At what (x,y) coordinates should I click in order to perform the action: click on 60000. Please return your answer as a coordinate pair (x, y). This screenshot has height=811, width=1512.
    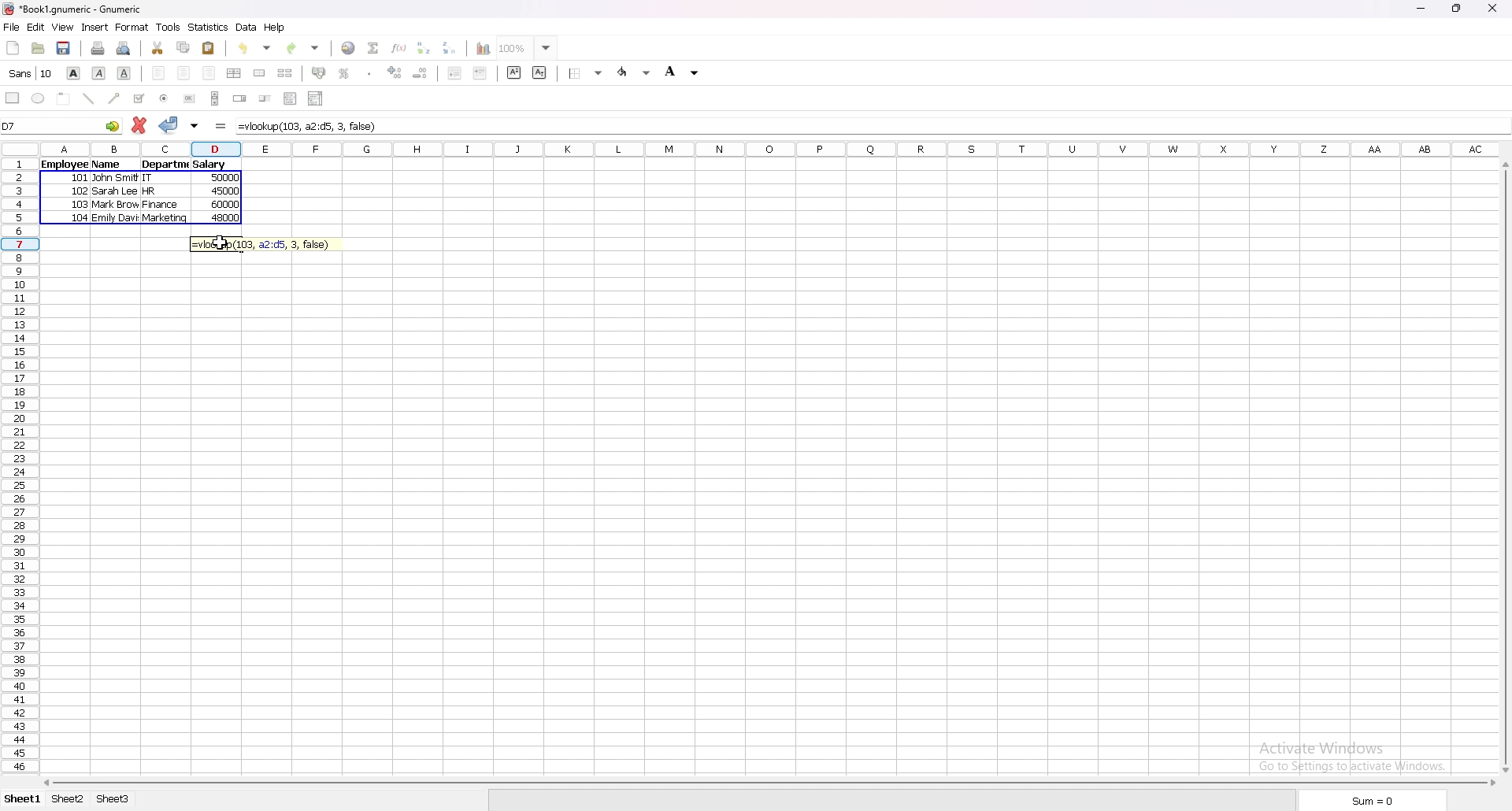
    Looking at the image, I should click on (225, 207).